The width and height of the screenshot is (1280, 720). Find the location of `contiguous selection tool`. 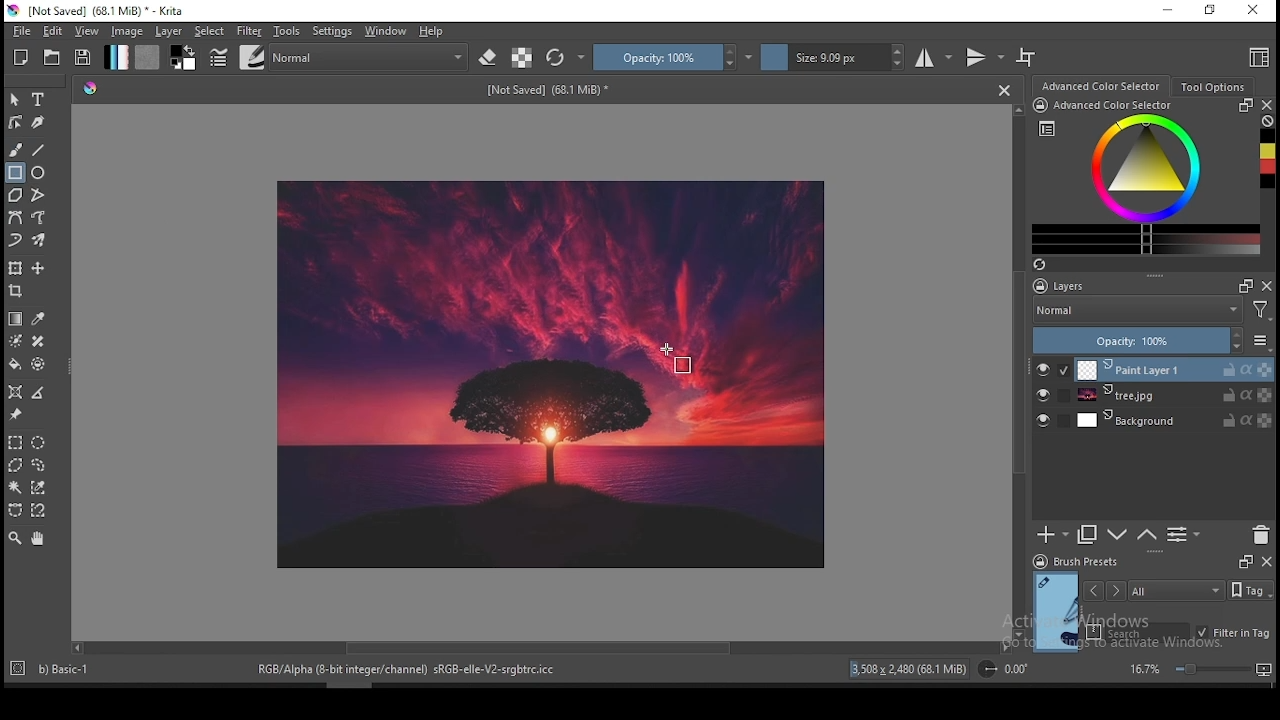

contiguous selection tool is located at coordinates (15, 488).